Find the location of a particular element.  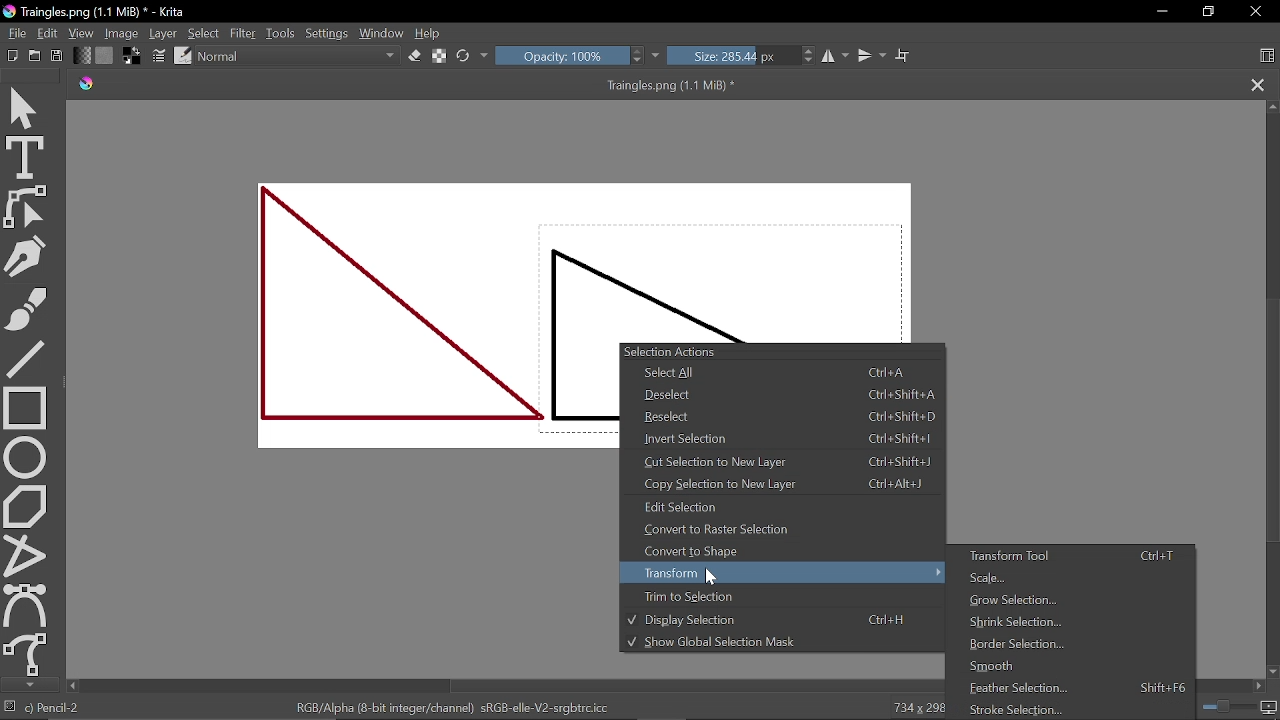

Scroll bar is located at coordinates (1270, 388).